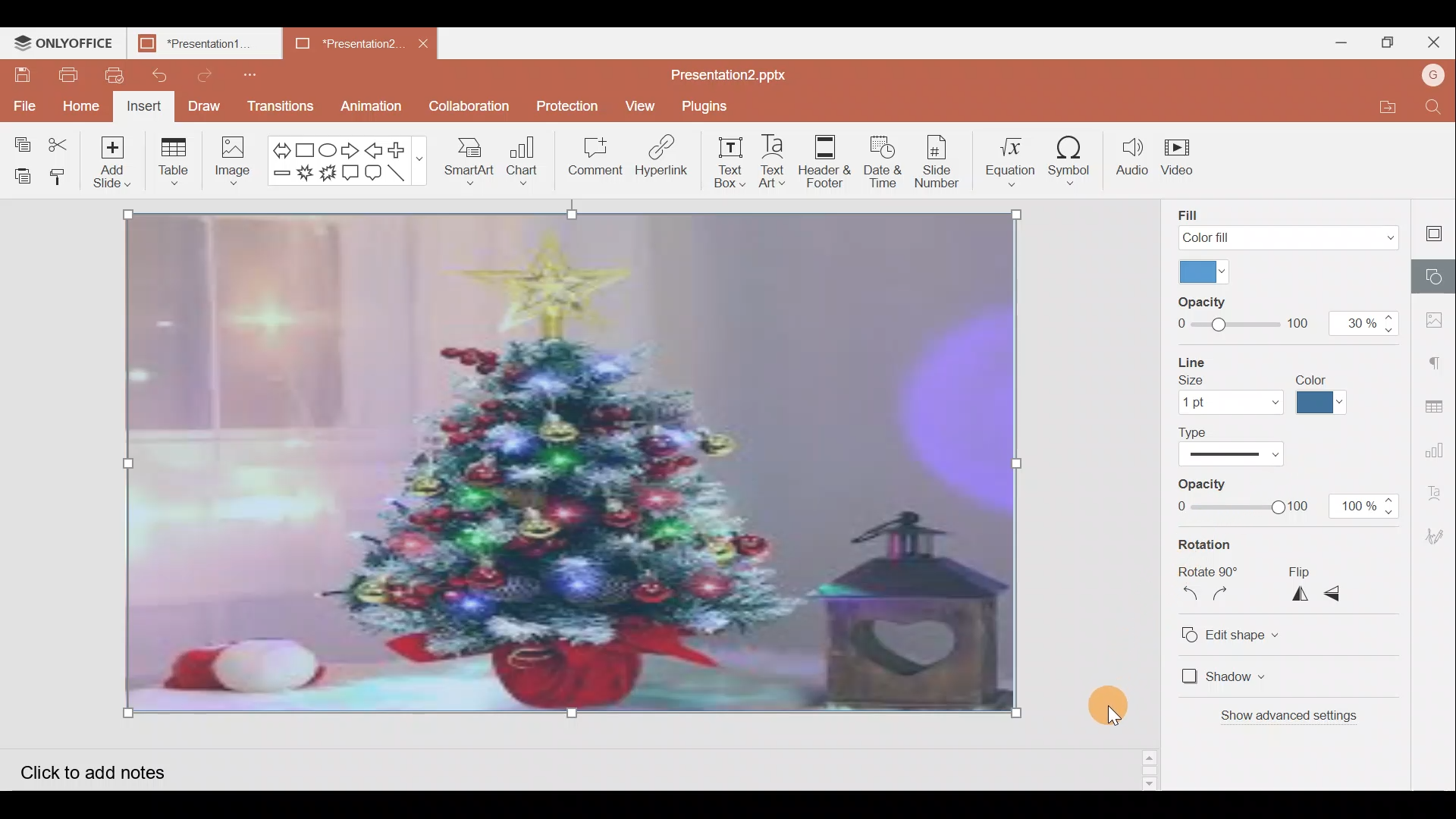 This screenshot has height=819, width=1456. What do you see at coordinates (177, 160) in the screenshot?
I see `Table` at bounding box center [177, 160].